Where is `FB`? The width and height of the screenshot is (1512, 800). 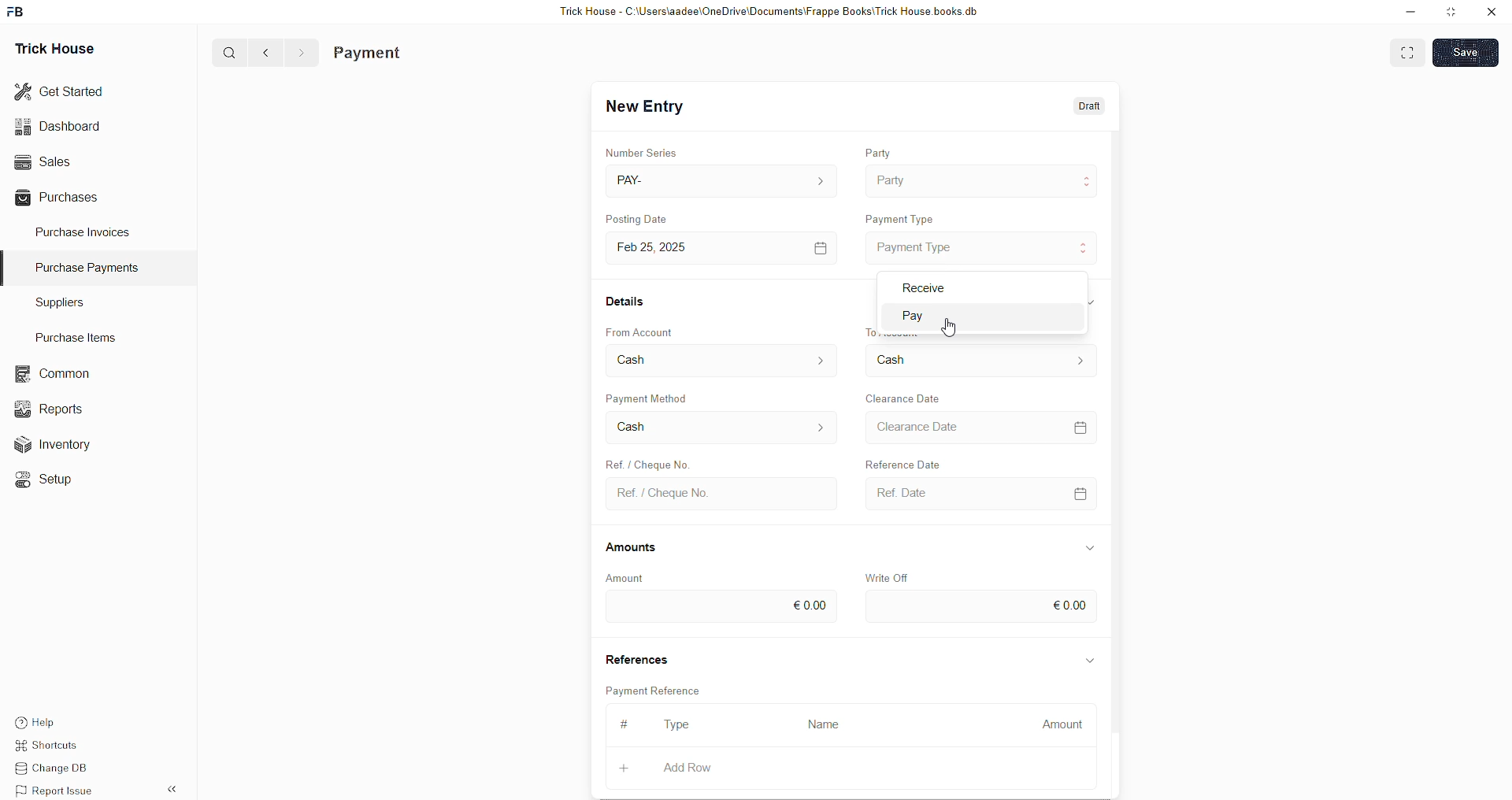
FB is located at coordinates (18, 10).